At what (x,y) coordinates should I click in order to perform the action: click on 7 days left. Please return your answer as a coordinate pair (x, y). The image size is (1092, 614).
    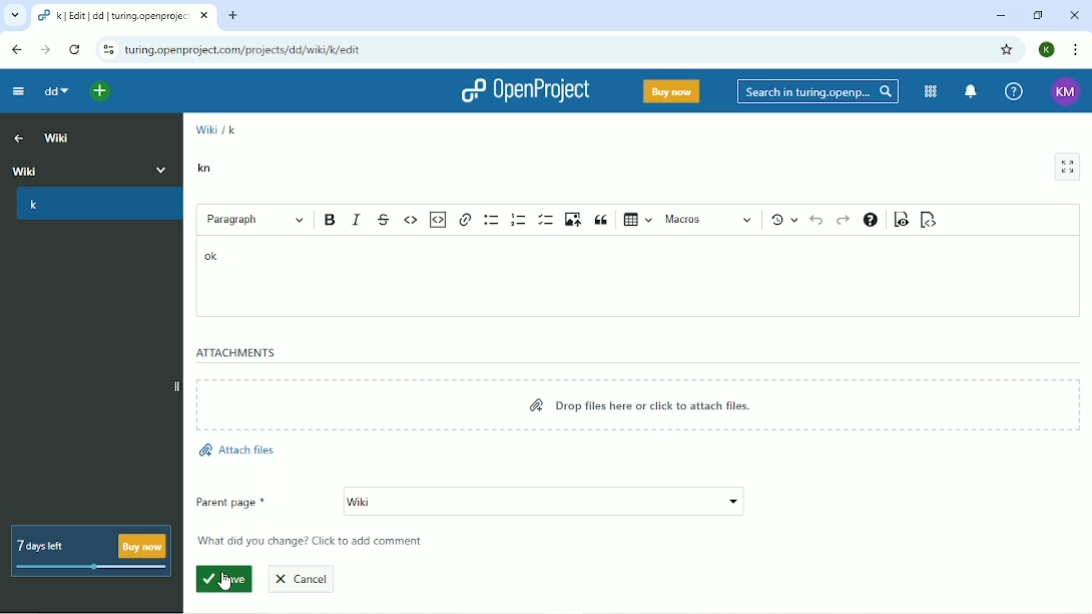
    Looking at the image, I should click on (92, 552).